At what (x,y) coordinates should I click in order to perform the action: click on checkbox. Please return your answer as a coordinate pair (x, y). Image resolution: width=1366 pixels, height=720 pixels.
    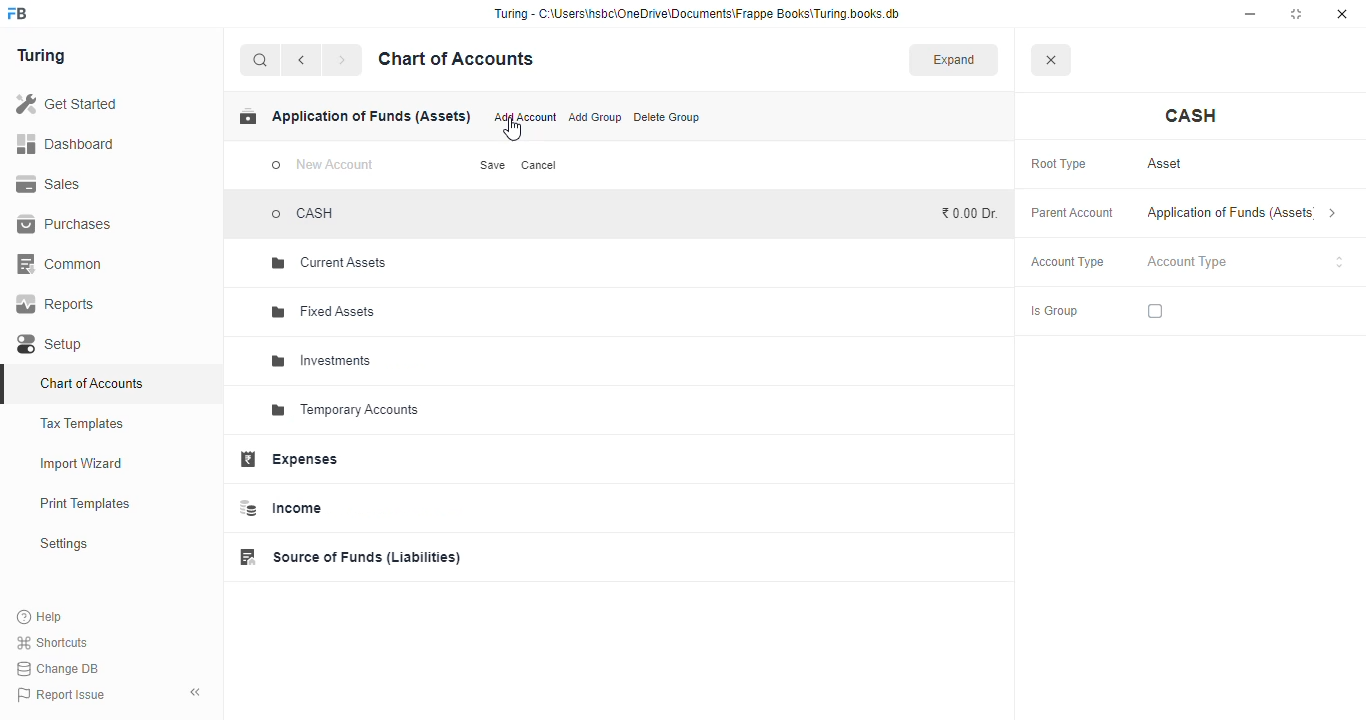
    Looking at the image, I should click on (1155, 311).